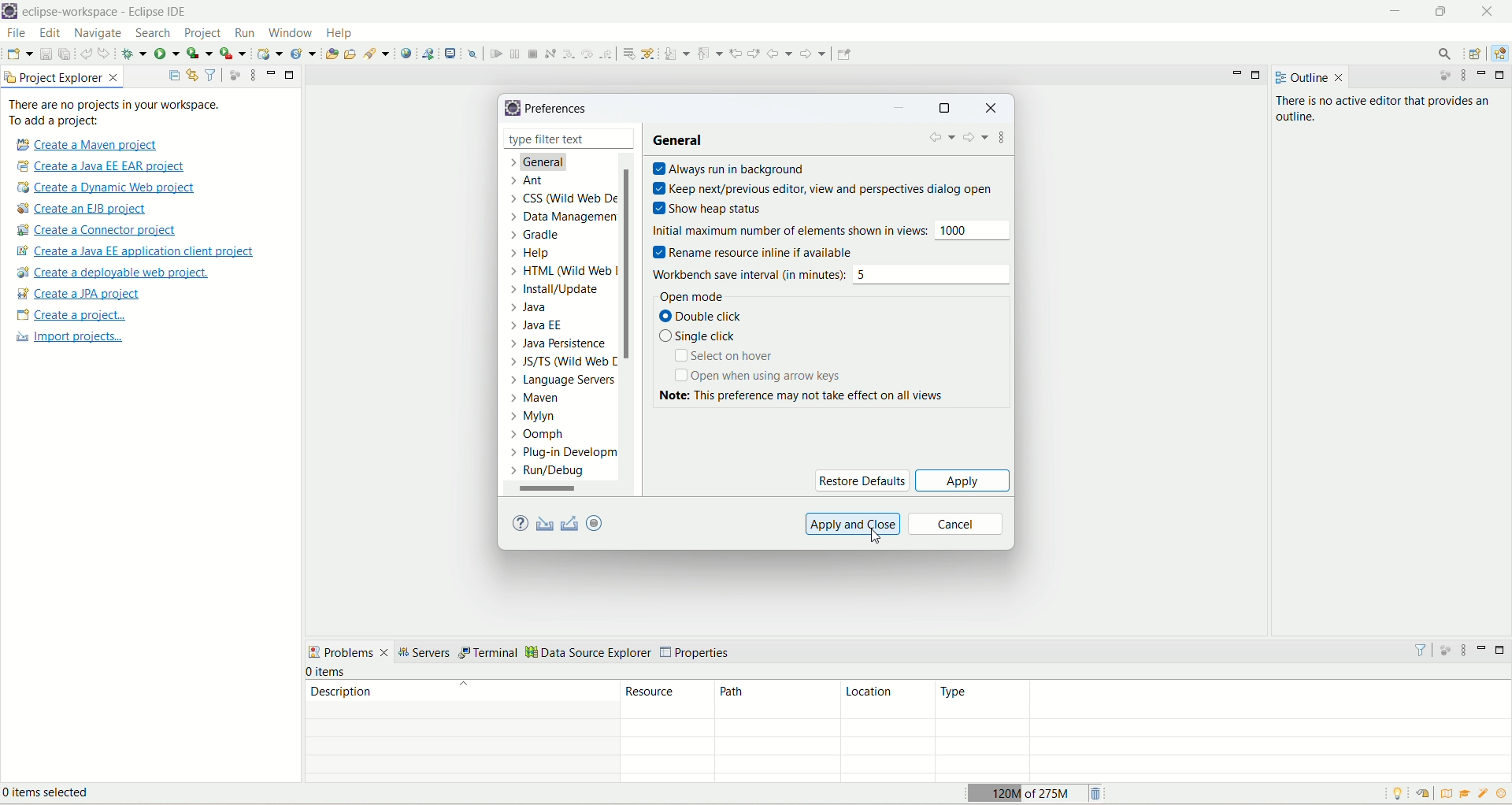 The height and width of the screenshot is (805, 1512). Describe the element at coordinates (249, 76) in the screenshot. I see `view menu` at that location.